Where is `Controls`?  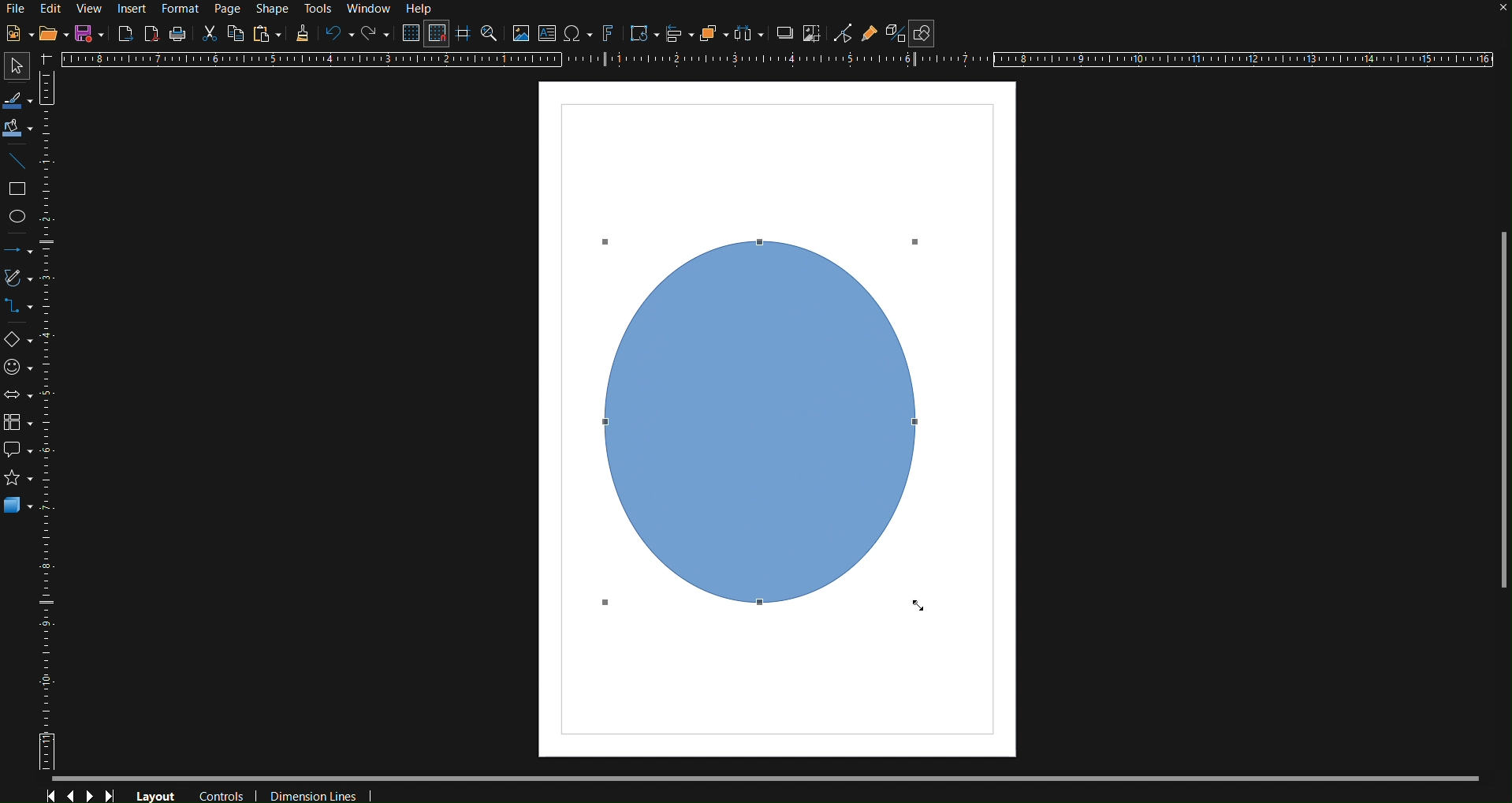
Controls is located at coordinates (225, 794).